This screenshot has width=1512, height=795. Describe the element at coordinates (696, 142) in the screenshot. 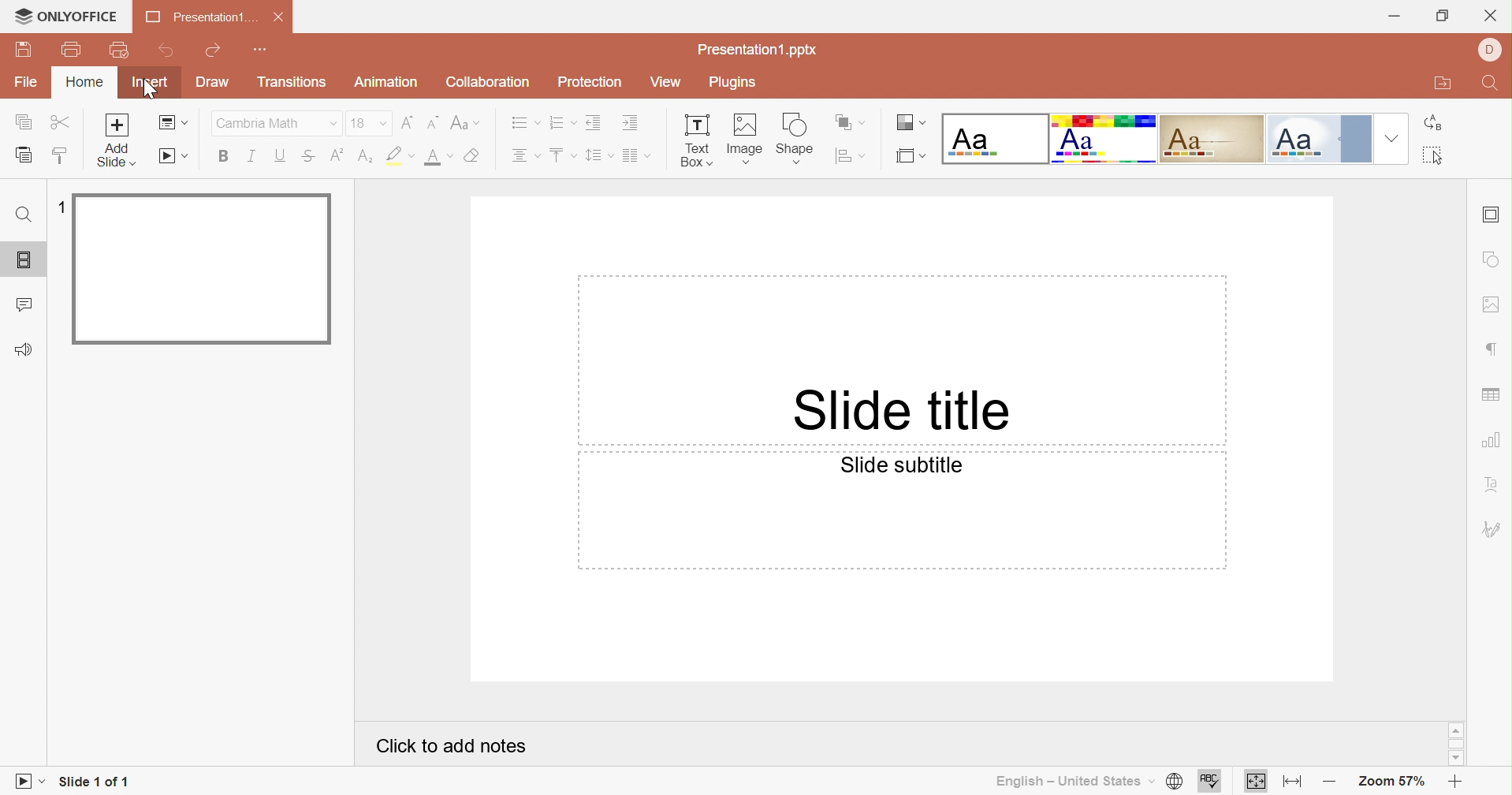

I see `Text Box` at that location.